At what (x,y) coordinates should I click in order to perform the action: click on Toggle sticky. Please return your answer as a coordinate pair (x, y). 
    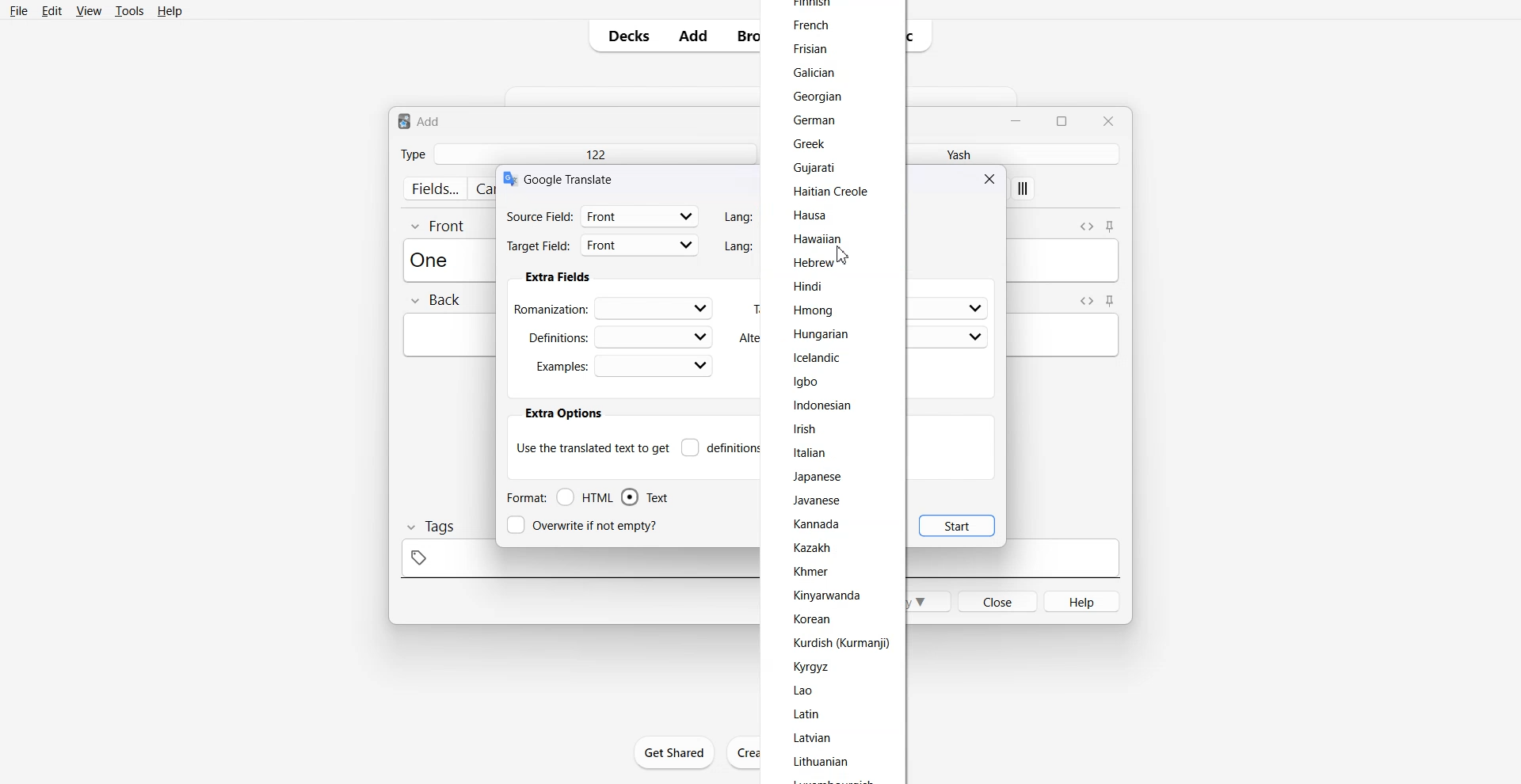
    Looking at the image, I should click on (1111, 227).